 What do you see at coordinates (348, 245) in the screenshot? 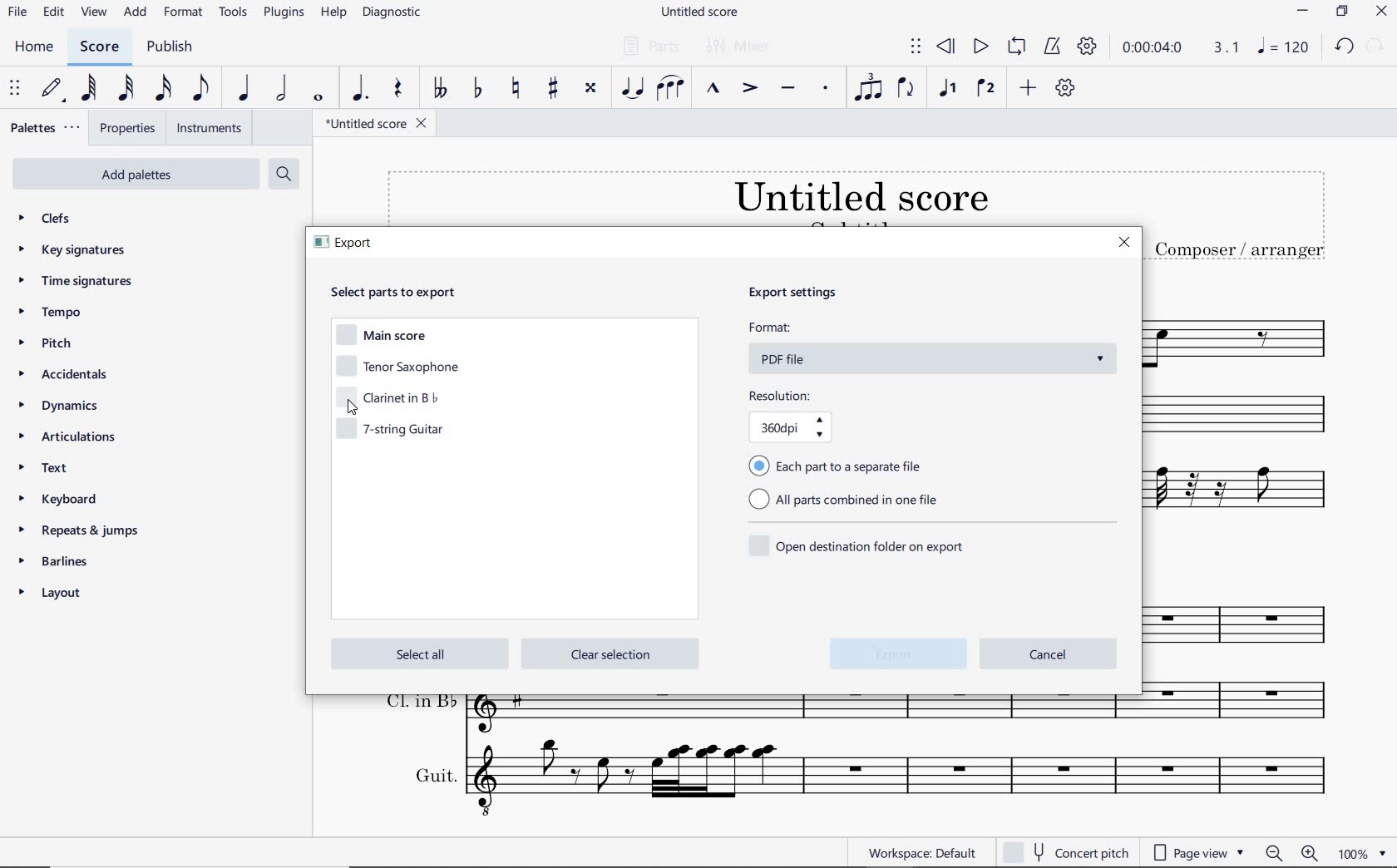
I see `export` at bounding box center [348, 245].